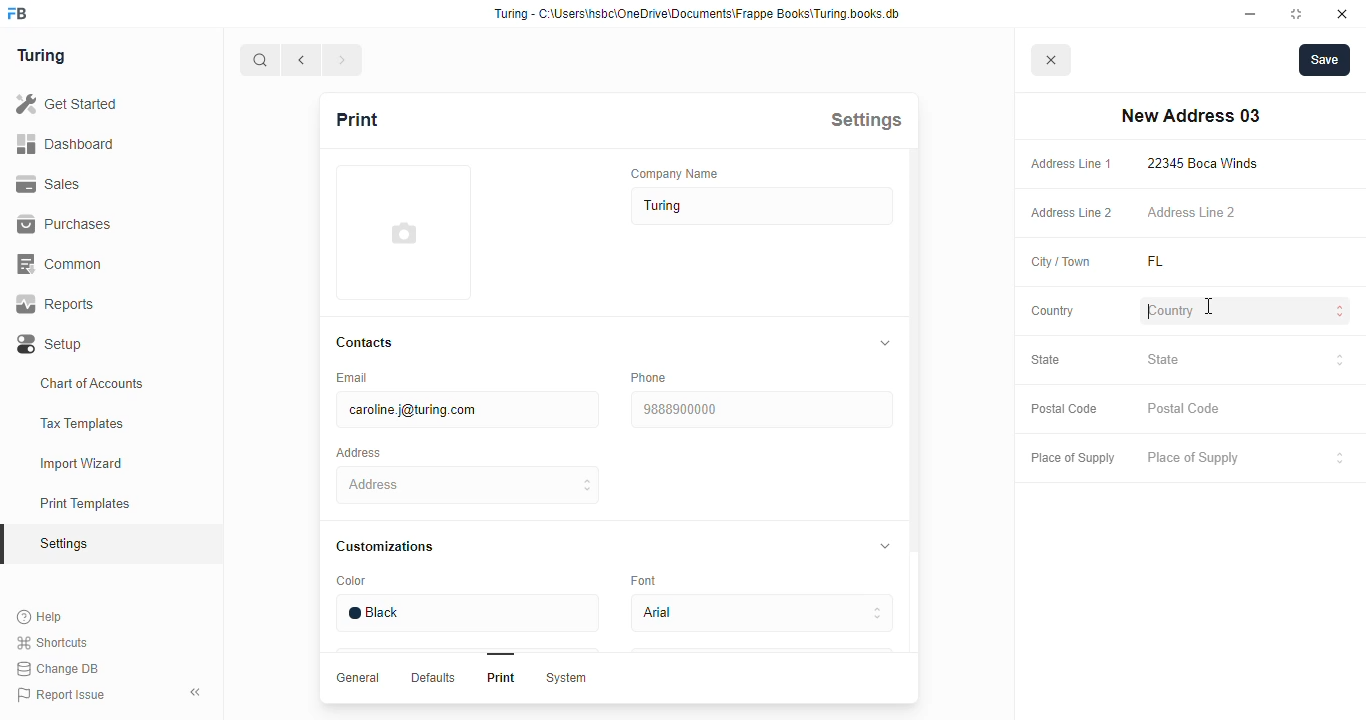  What do you see at coordinates (466, 613) in the screenshot?
I see `black` at bounding box center [466, 613].